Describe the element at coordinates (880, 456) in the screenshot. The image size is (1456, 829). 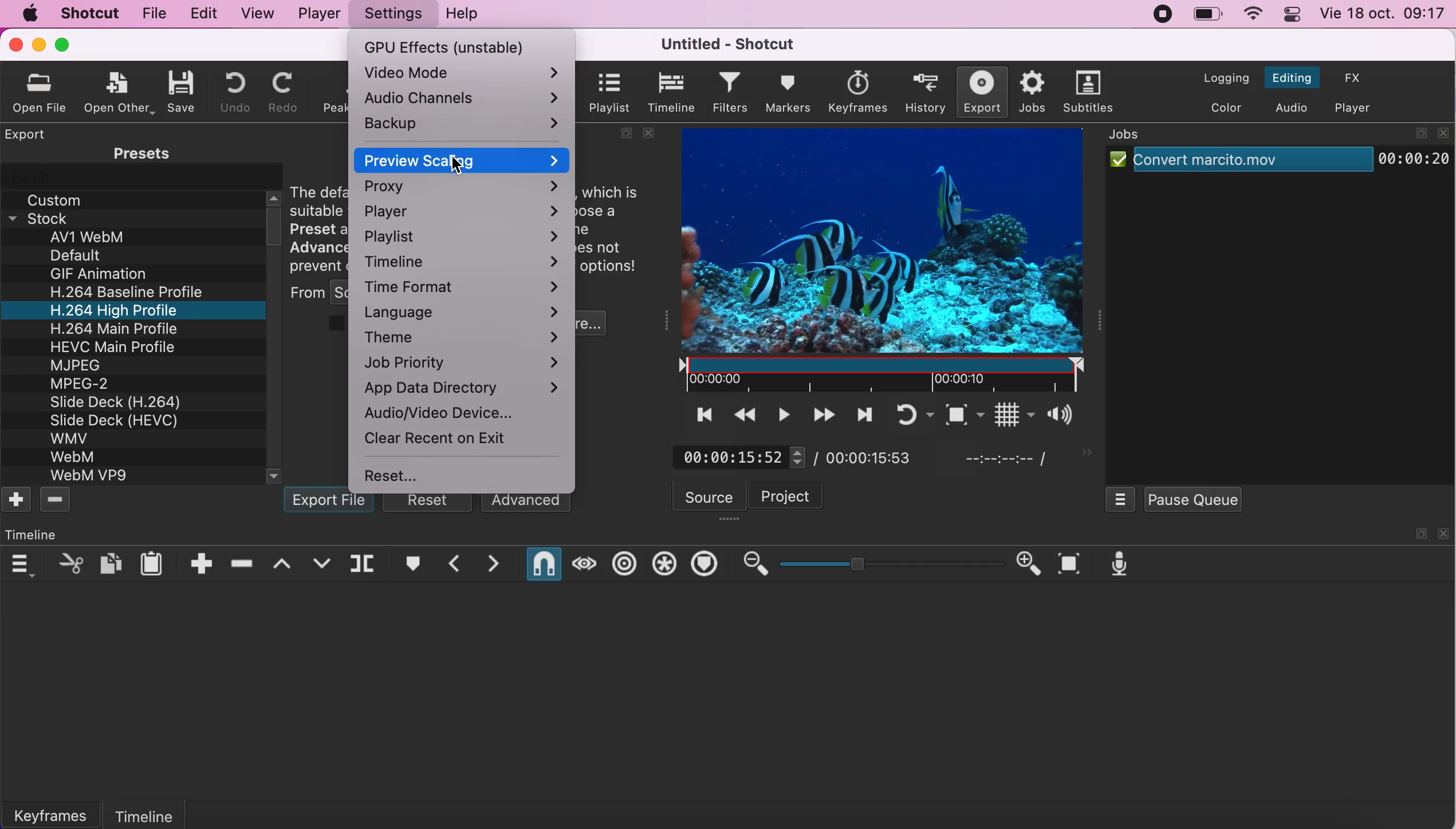
I see `total duration` at that location.